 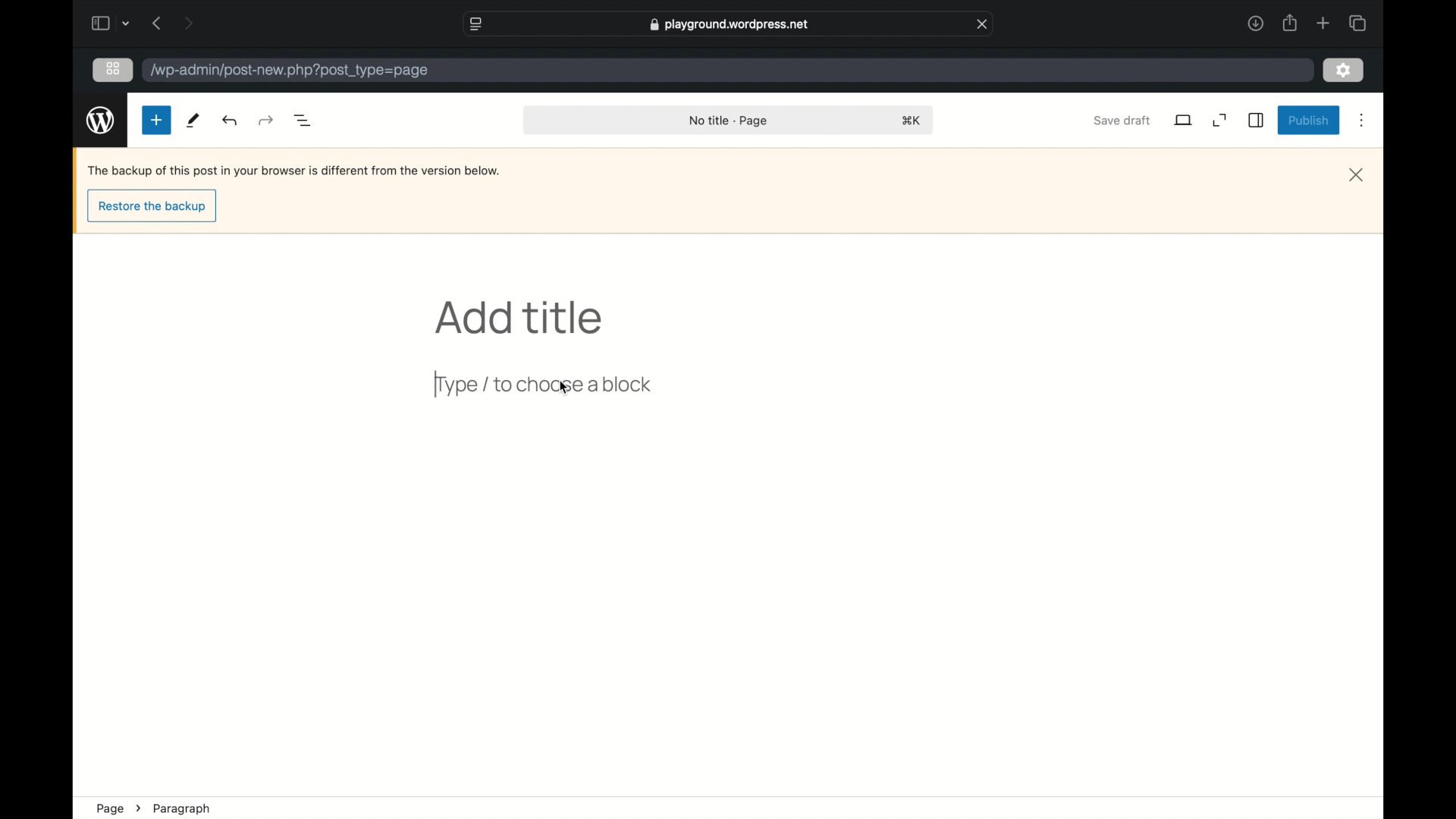 I want to click on wordpress address, so click(x=290, y=71).